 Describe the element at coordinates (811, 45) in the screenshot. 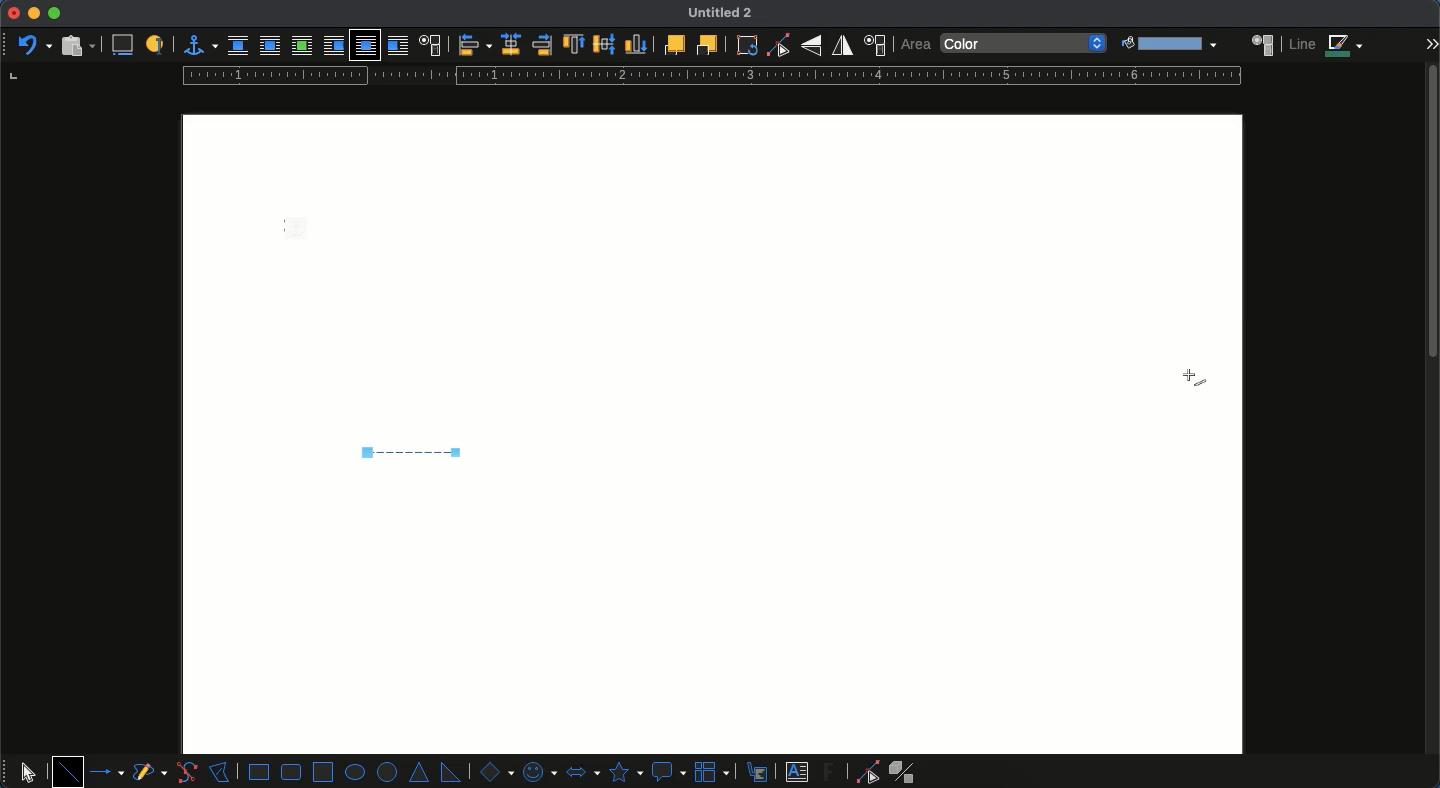

I see `flip vertically` at that location.